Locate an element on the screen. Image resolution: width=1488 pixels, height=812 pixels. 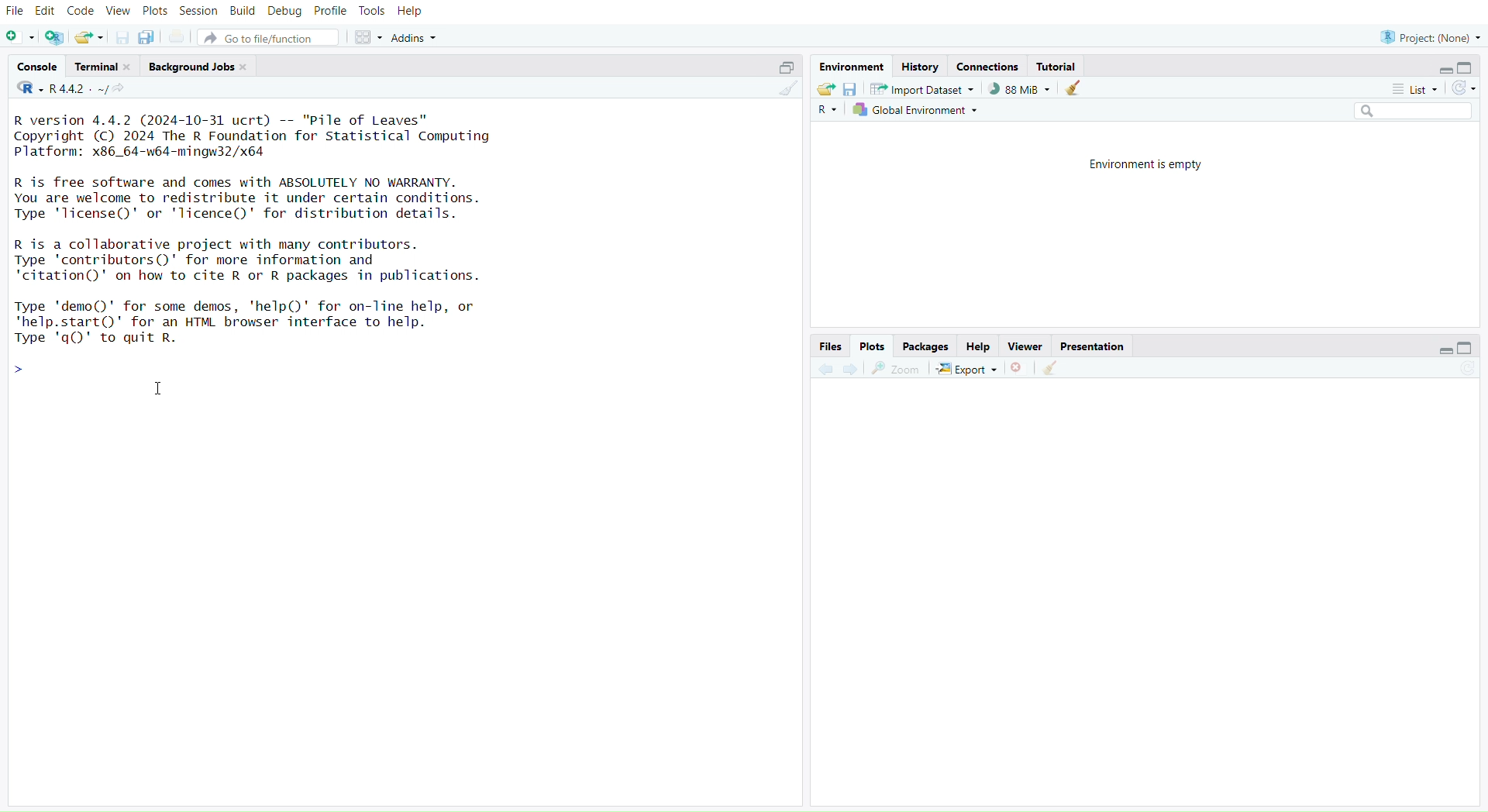
tutorial is located at coordinates (1059, 67).